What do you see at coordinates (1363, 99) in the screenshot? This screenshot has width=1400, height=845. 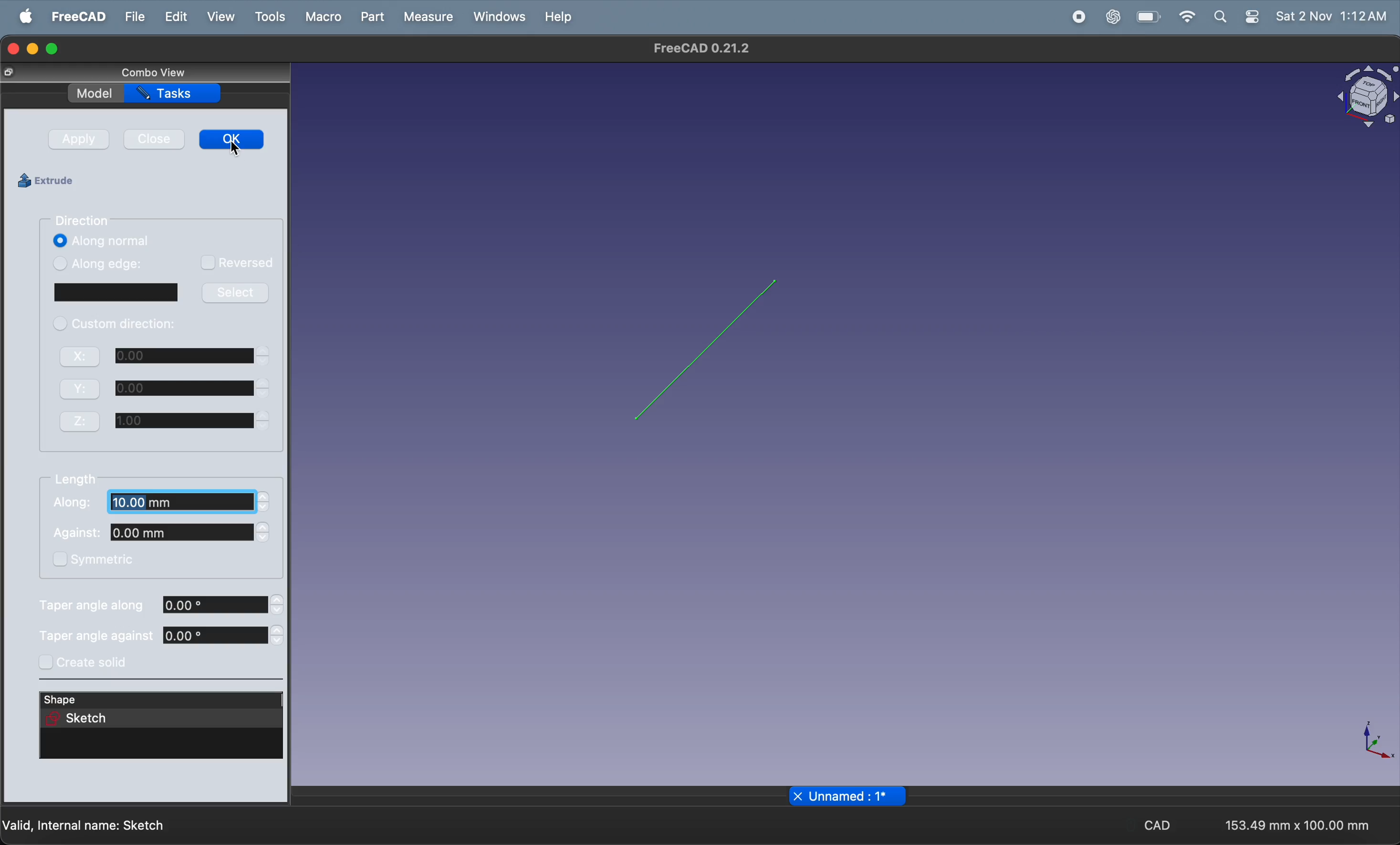 I see `object view` at bounding box center [1363, 99].